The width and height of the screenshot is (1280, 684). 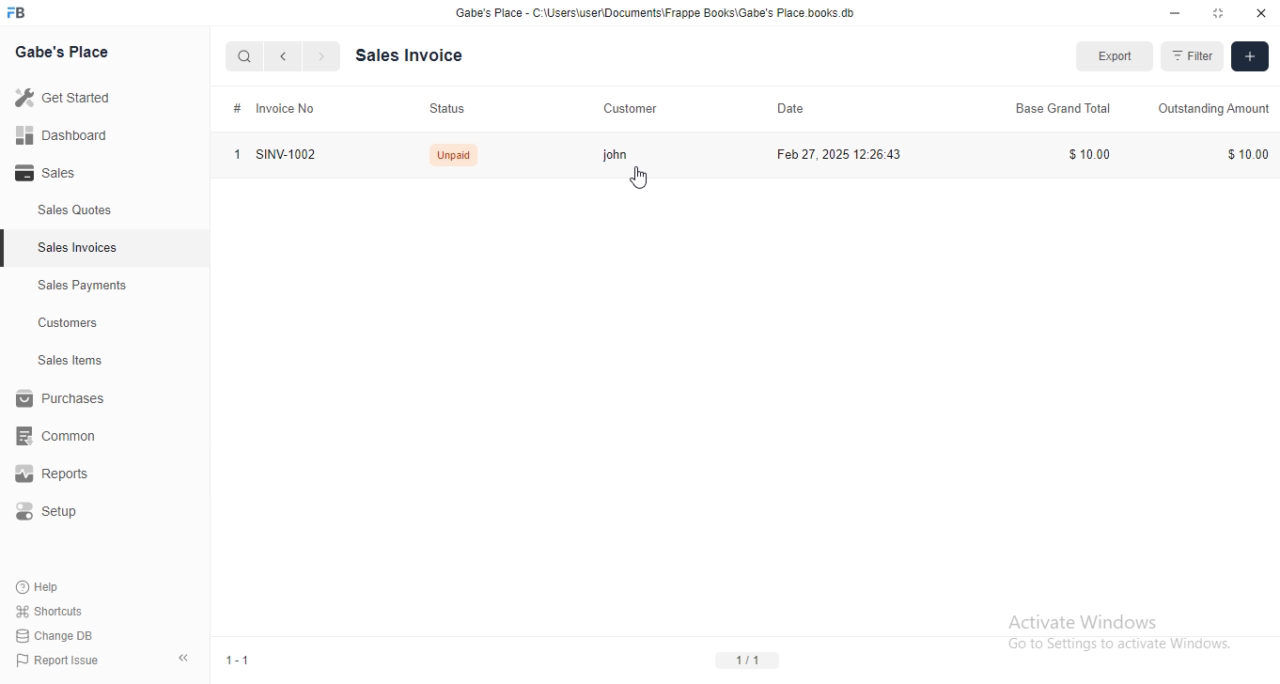 I want to click on sales invoices, so click(x=78, y=248).